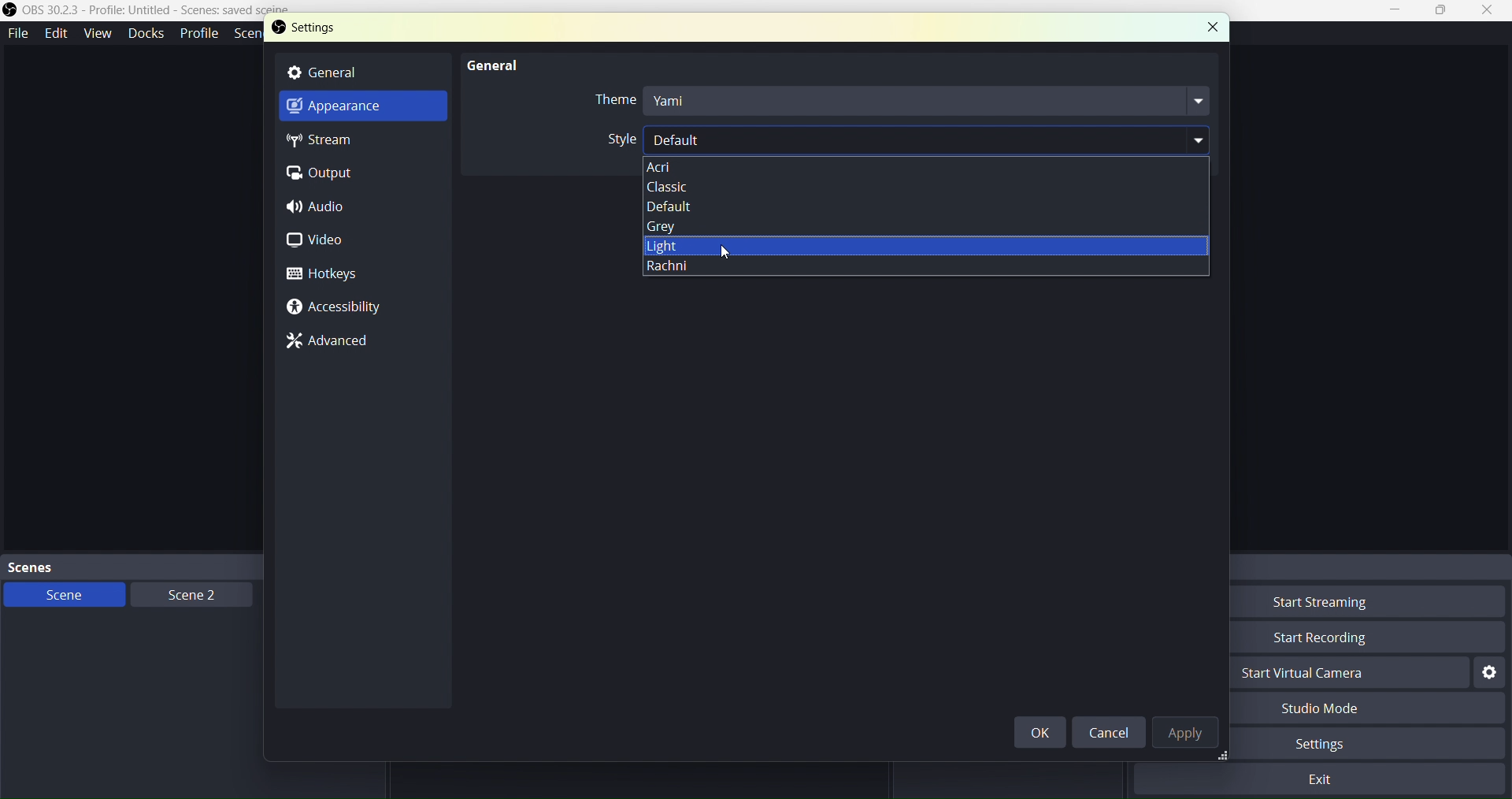 The image size is (1512, 799). What do you see at coordinates (1348, 709) in the screenshot?
I see `Studio Mode` at bounding box center [1348, 709].